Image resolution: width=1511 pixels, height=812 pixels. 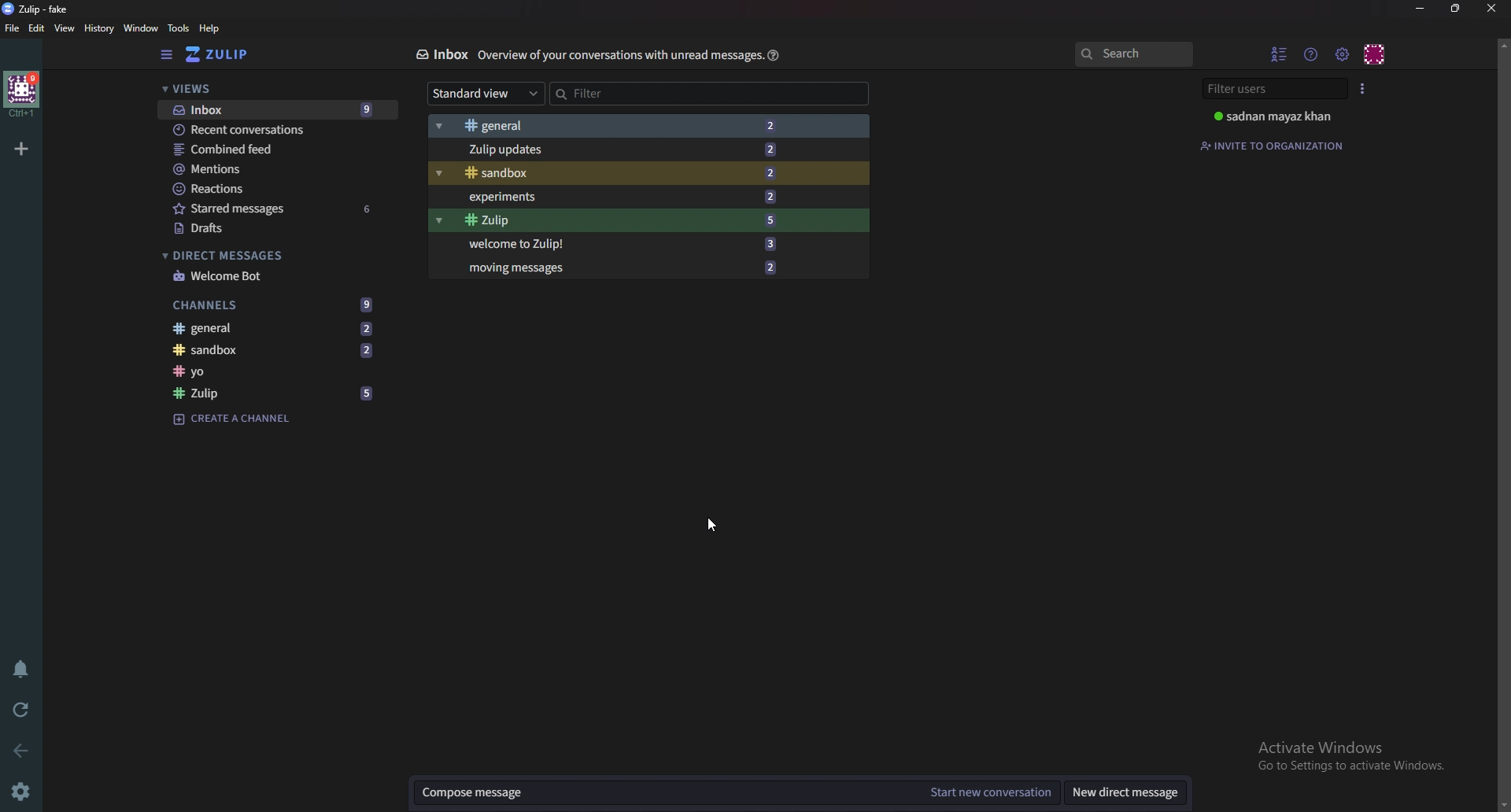 I want to click on personal menu, so click(x=1374, y=54).